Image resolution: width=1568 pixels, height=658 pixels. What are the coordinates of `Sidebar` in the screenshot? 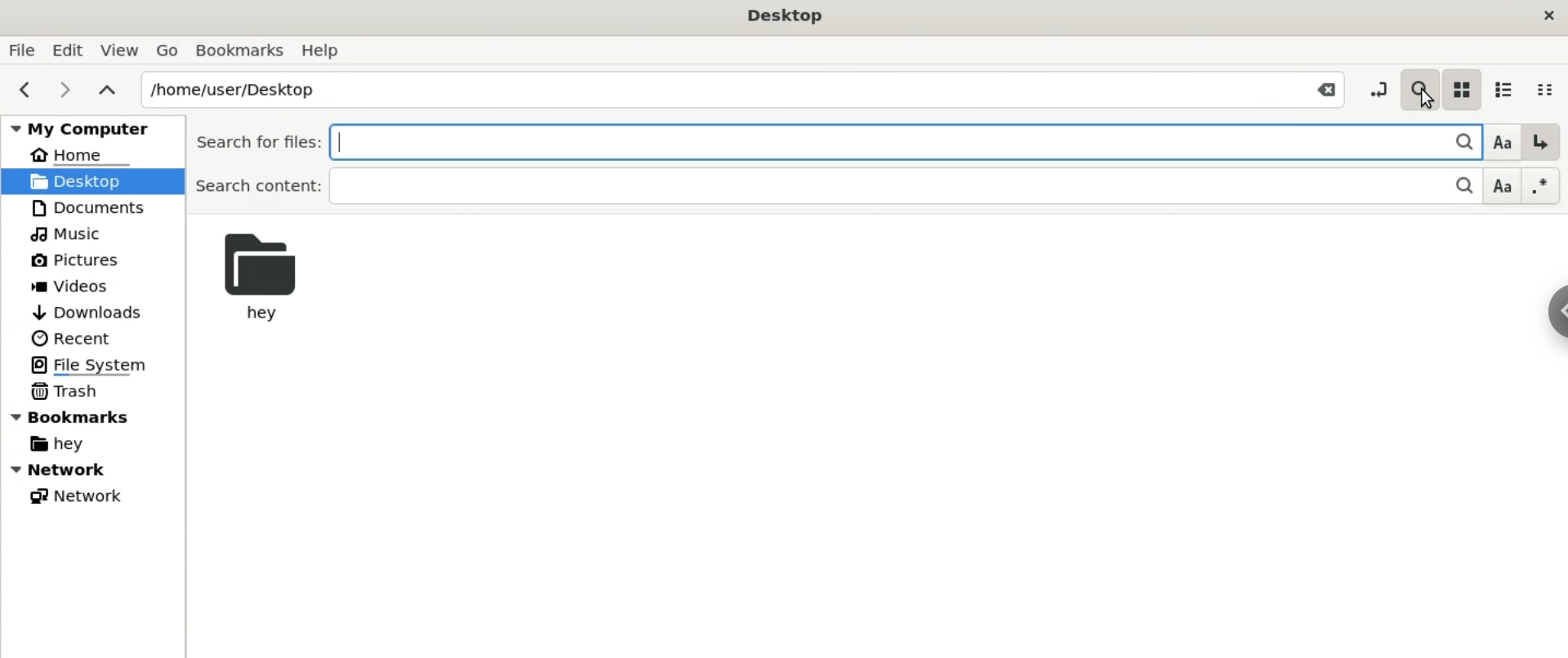 It's located at (1548, 313).